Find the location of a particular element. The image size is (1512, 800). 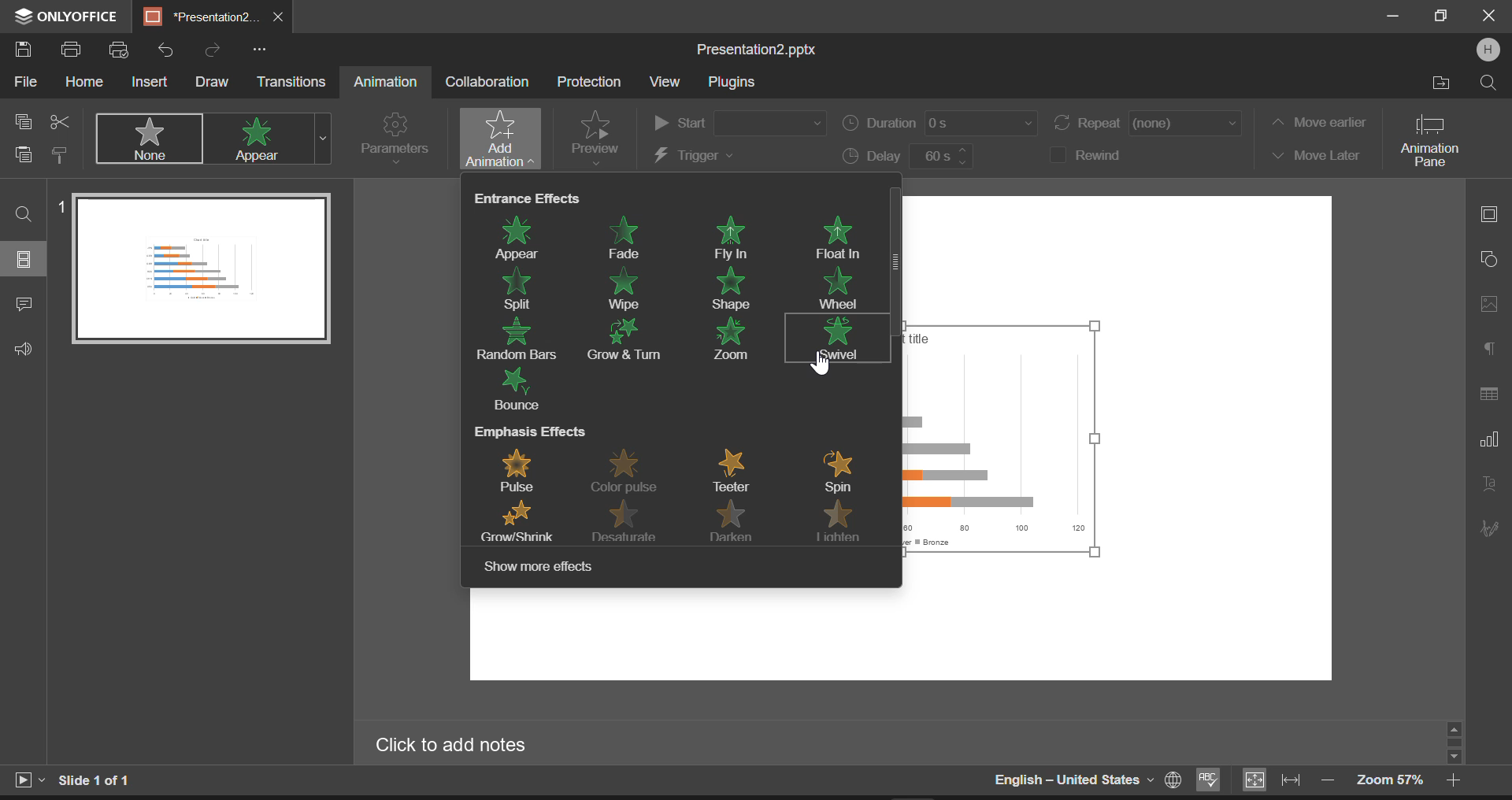

Darken is located at coordinates (740, 522).